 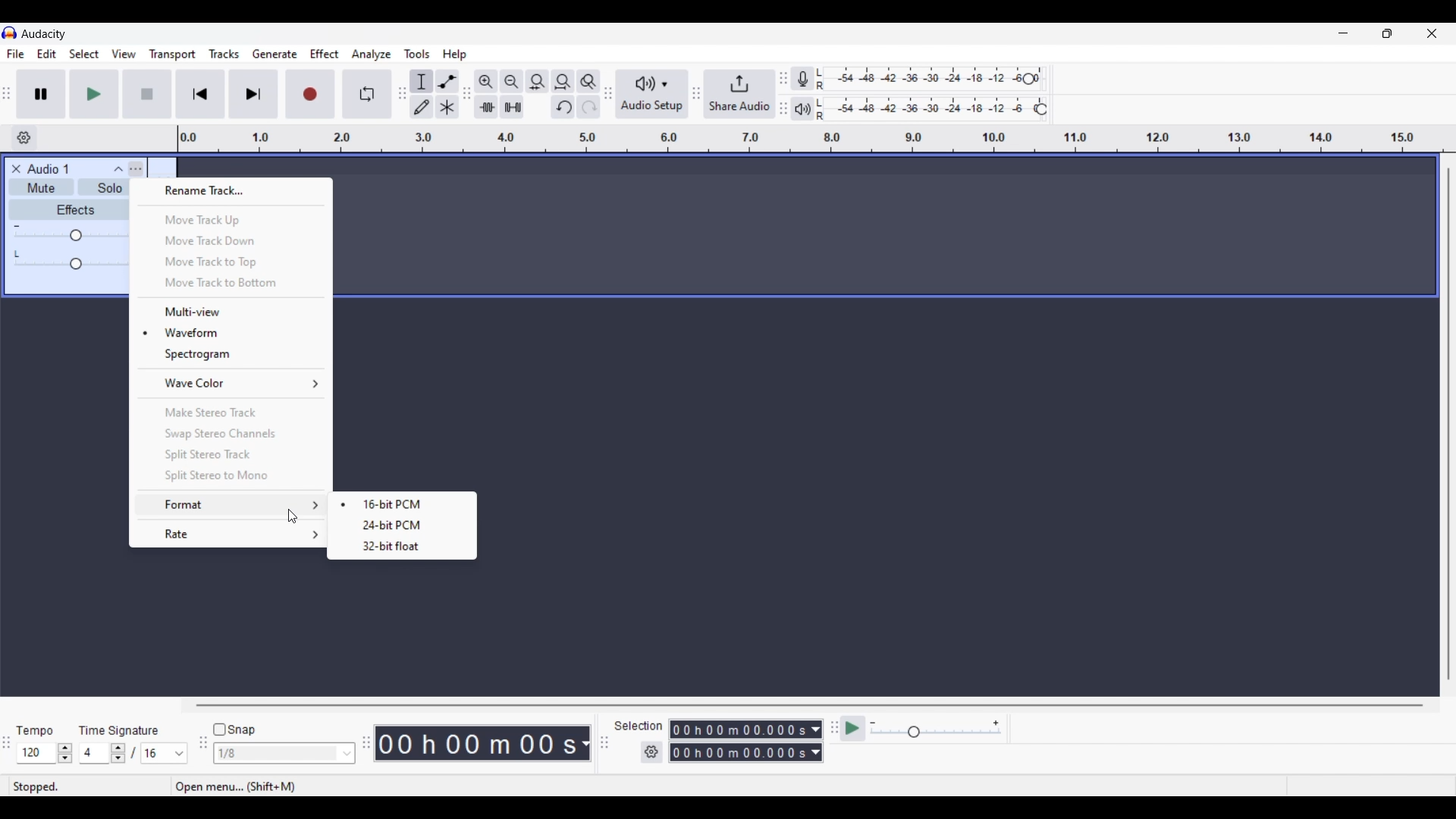 What do you see at coordinates (75, 209) in the screenshot?
I see `Effects` at bounding box center [75, 209].